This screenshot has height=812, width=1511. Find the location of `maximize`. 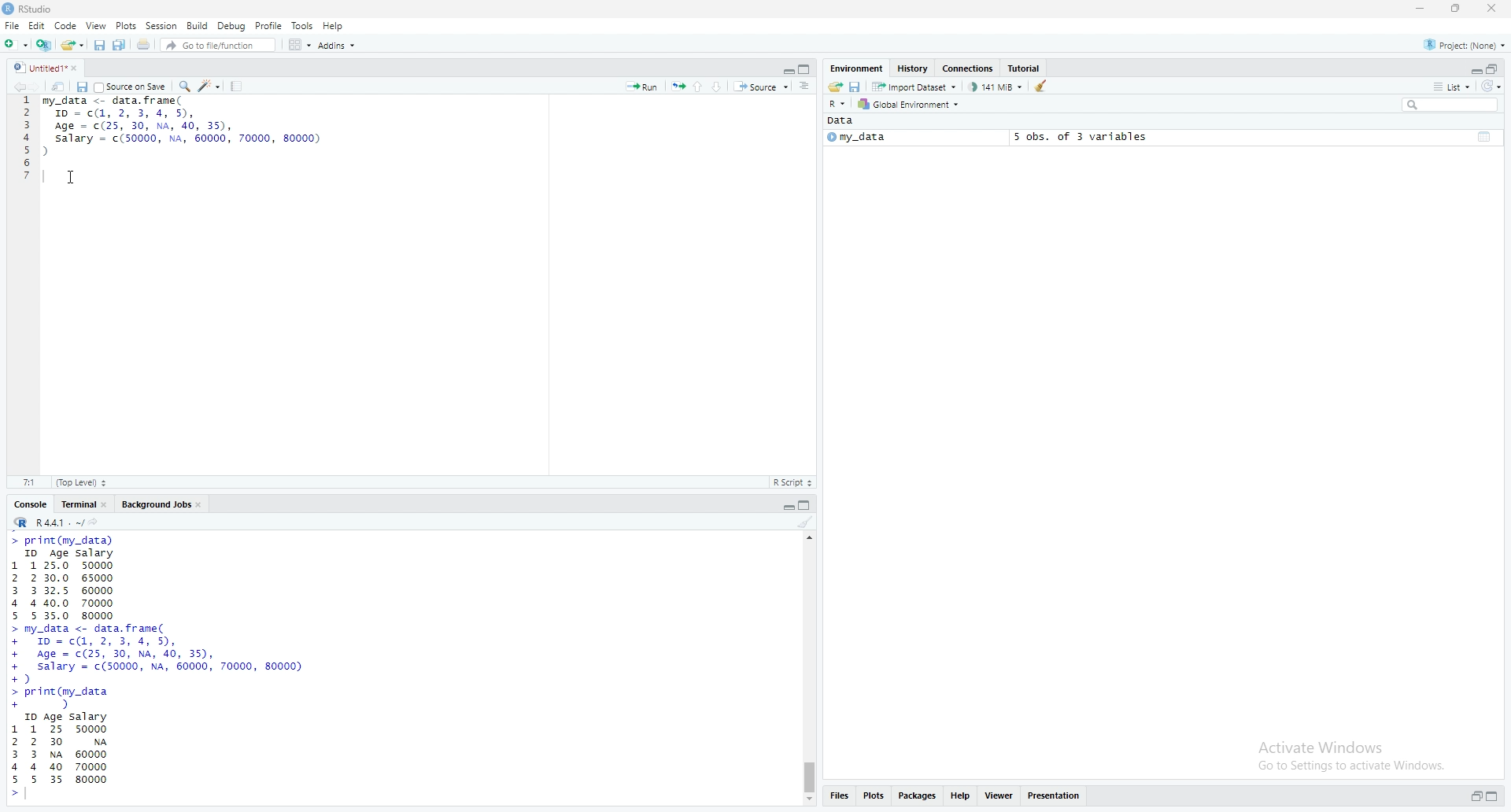

maximize is located at coordinates (1453, 8).